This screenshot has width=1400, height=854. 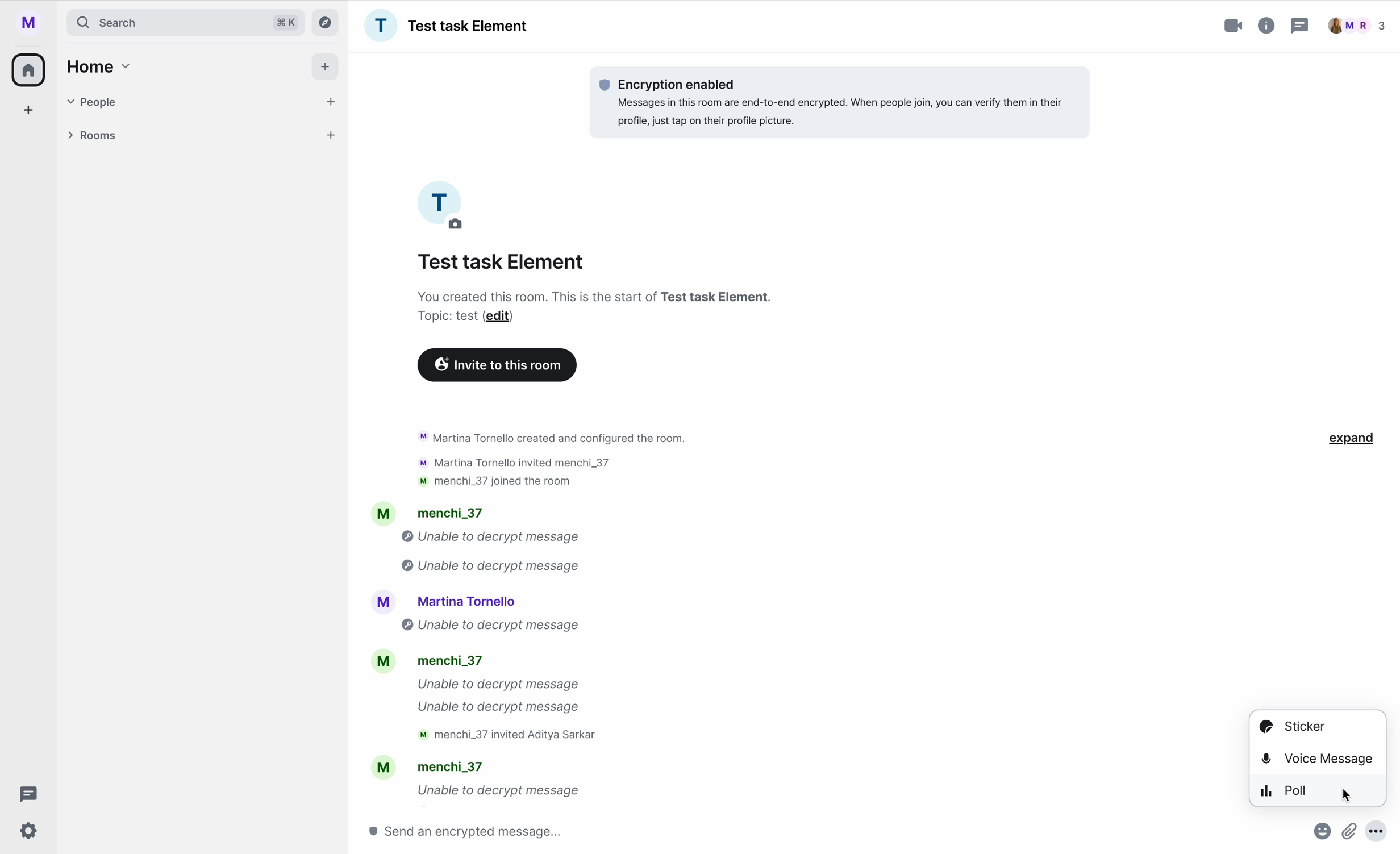 I want to click on attach files, so click(x=1351, y=836).